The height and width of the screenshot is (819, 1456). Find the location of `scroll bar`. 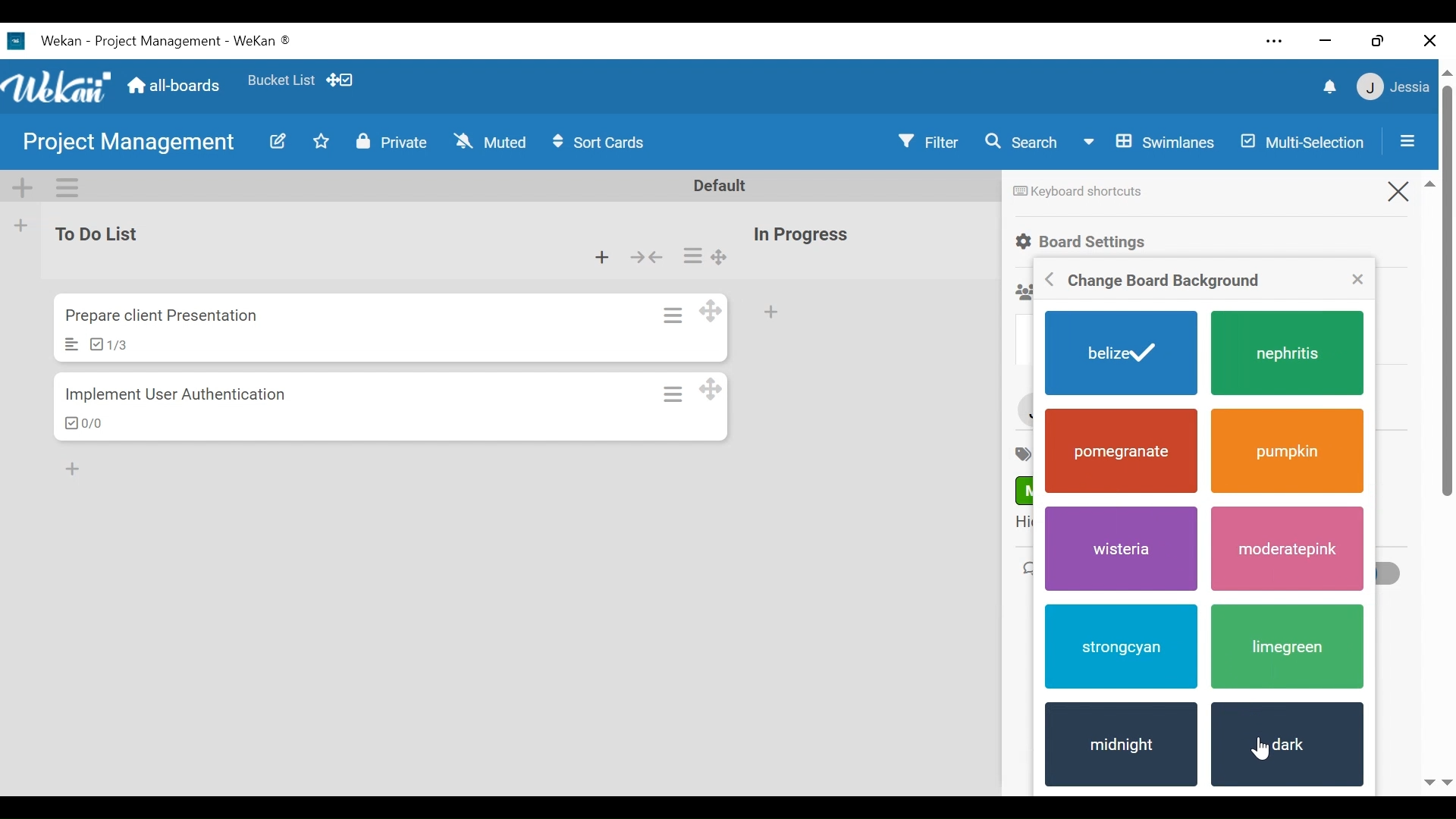

scroll bar is located at coordinates (1447, 357).